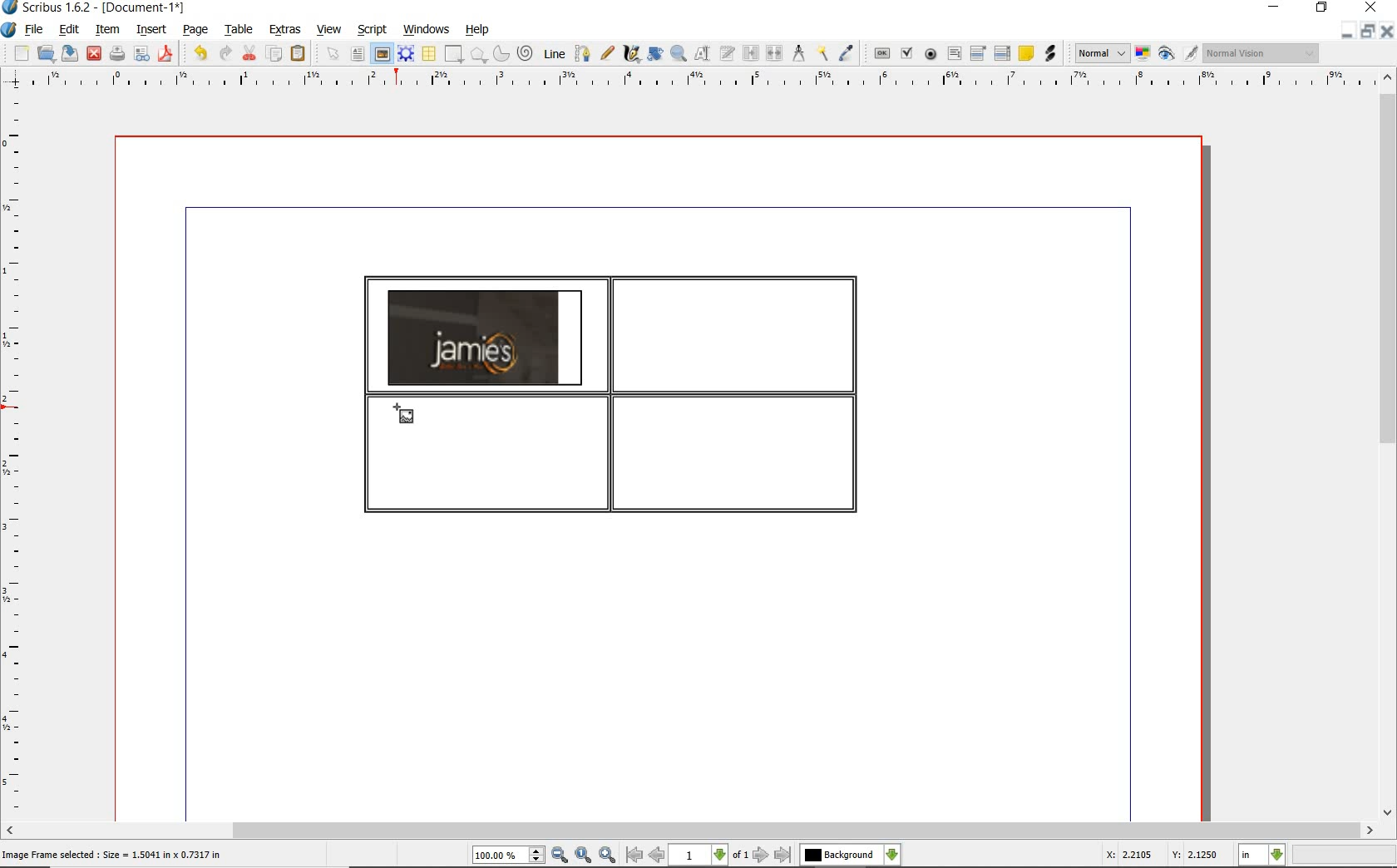  I want to click on text frame, so click(358, 56).